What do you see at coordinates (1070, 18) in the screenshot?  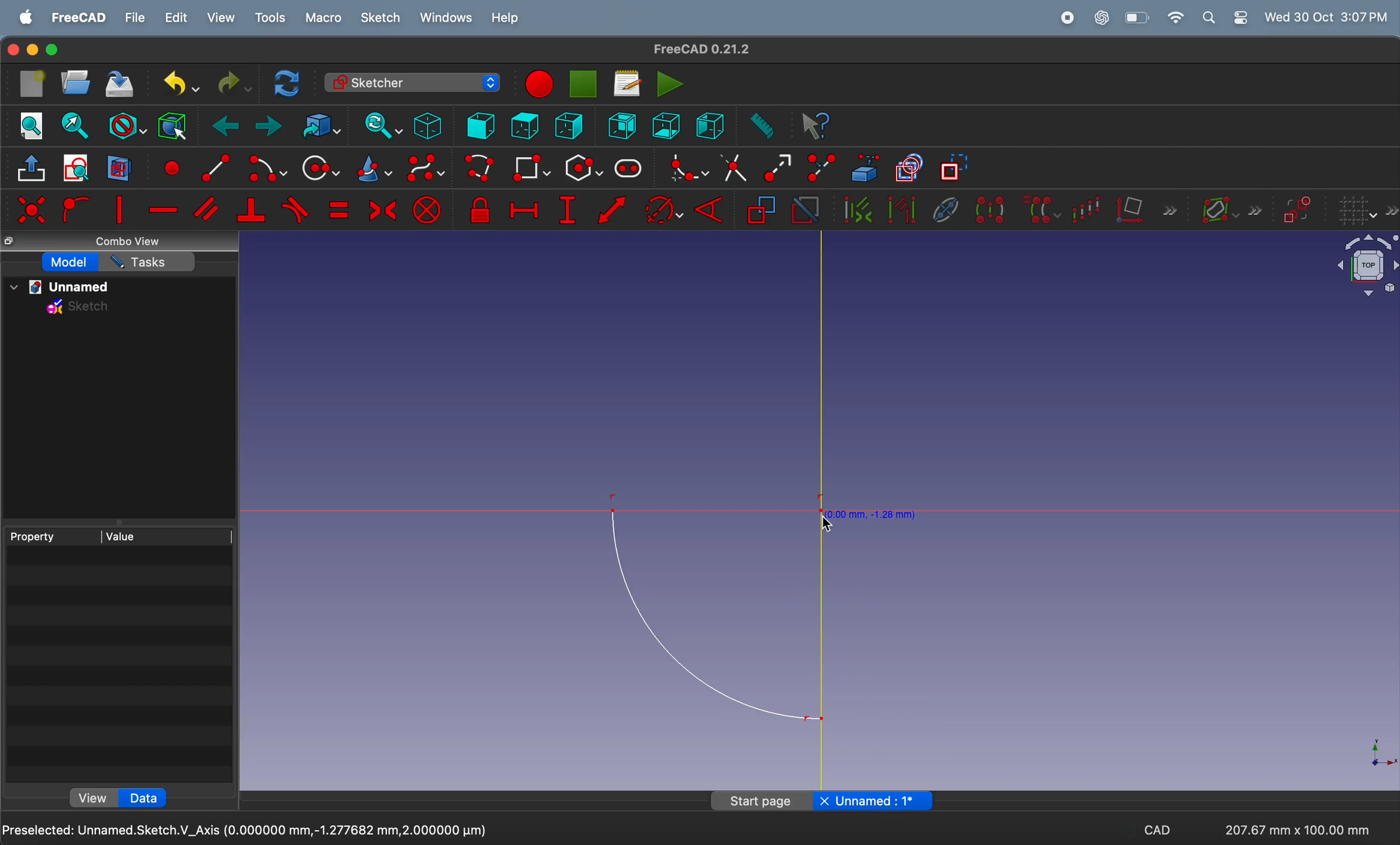 I see `record` at bounding box center [1070, 18].